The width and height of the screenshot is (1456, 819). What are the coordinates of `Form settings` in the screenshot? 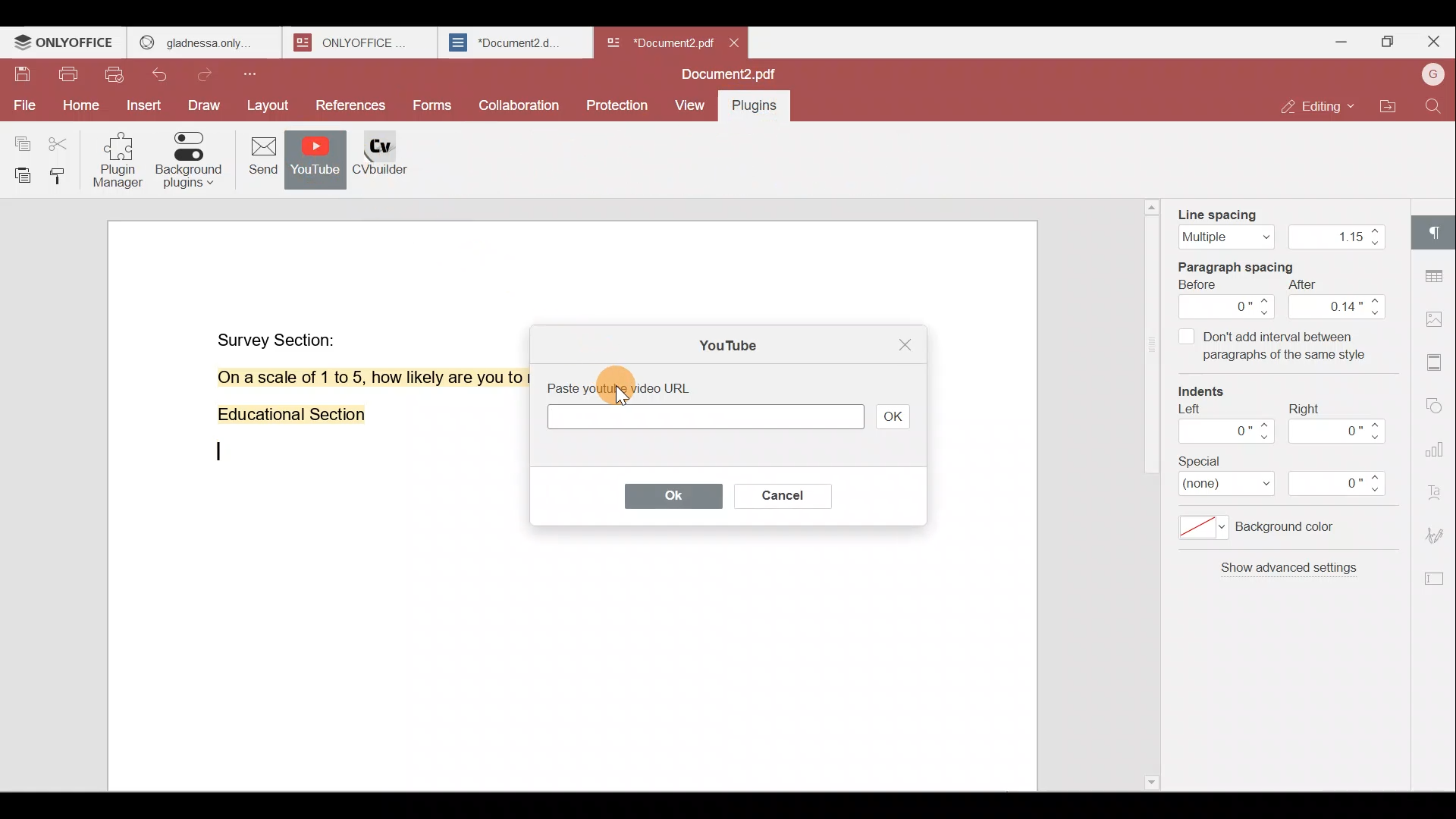 It's located at (1429, 579).